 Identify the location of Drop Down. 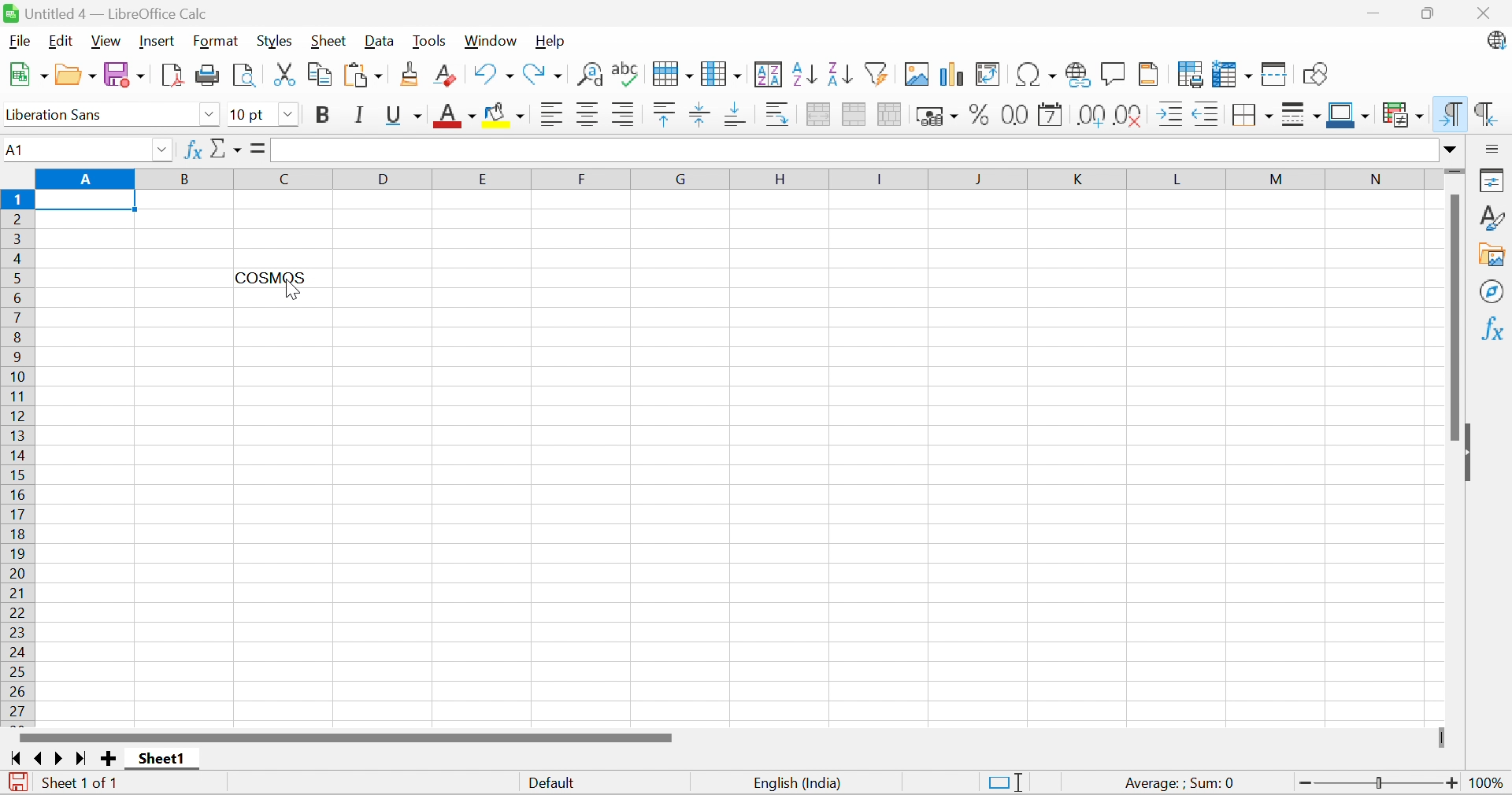
(287, 115).